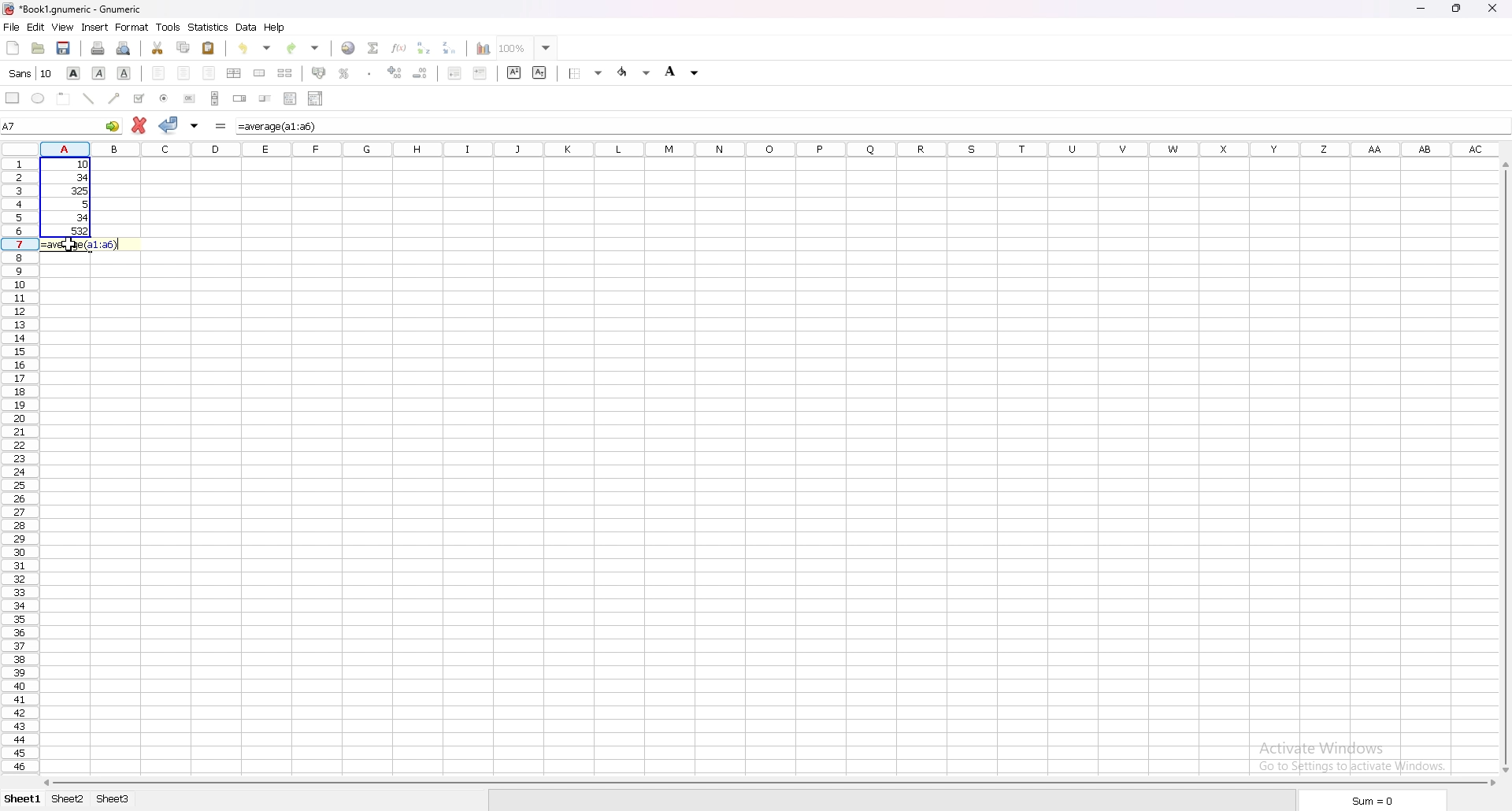 The height and width of the screenshot is (811, 1512). I want to click on help, so click(276, 28).